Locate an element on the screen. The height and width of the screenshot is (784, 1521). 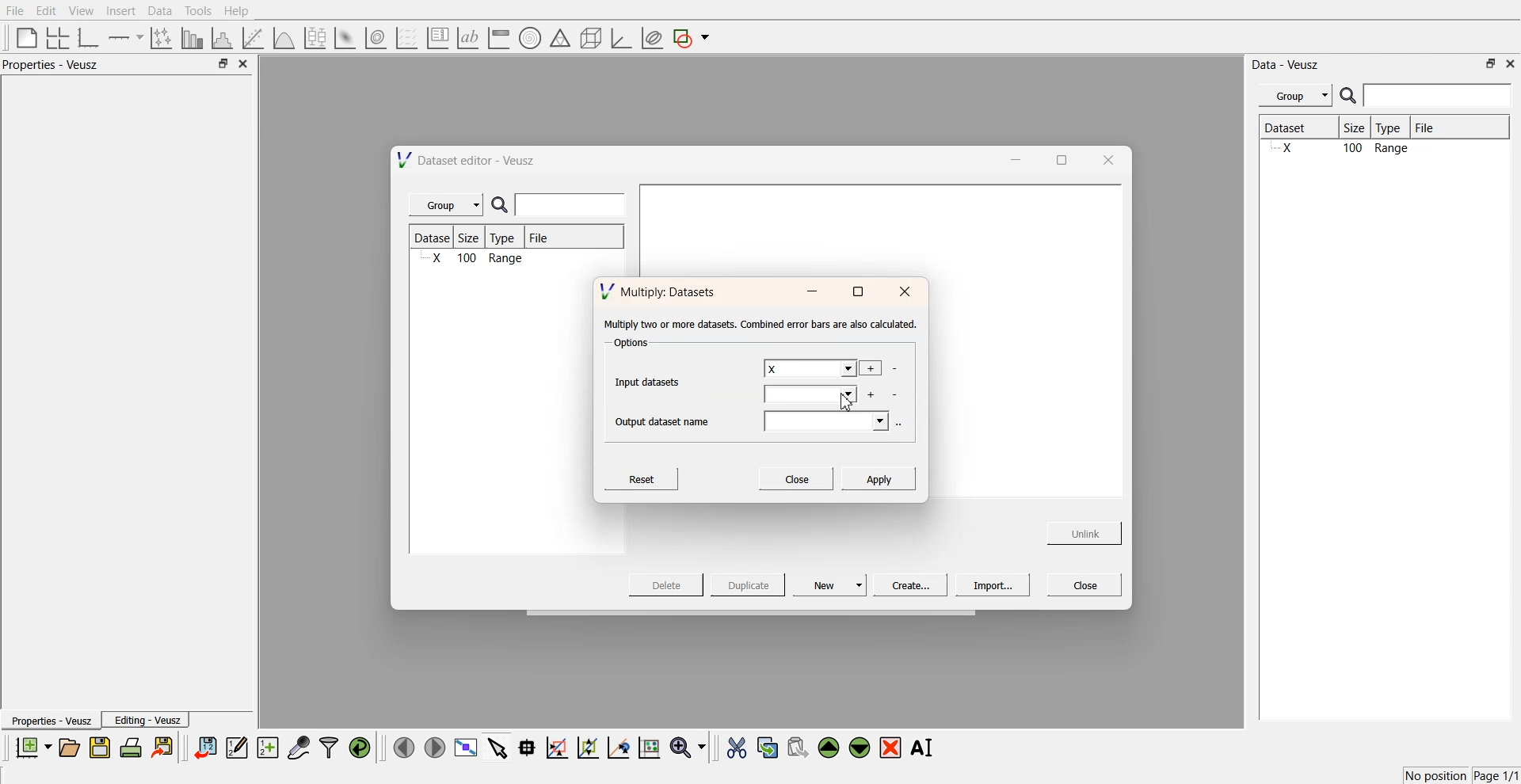
close is located at coordinates (905, 292).